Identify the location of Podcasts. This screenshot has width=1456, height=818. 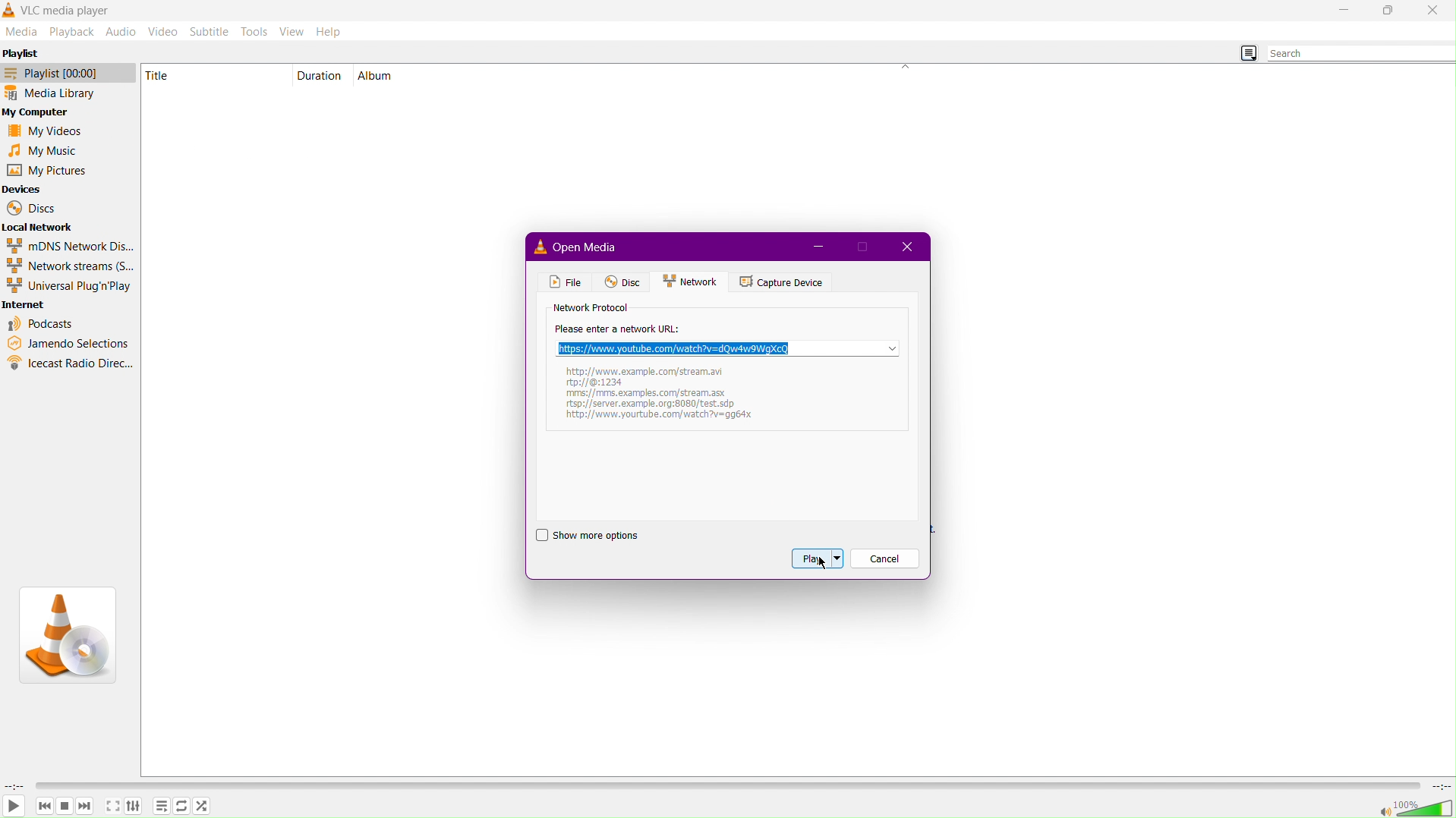
(42, 324).